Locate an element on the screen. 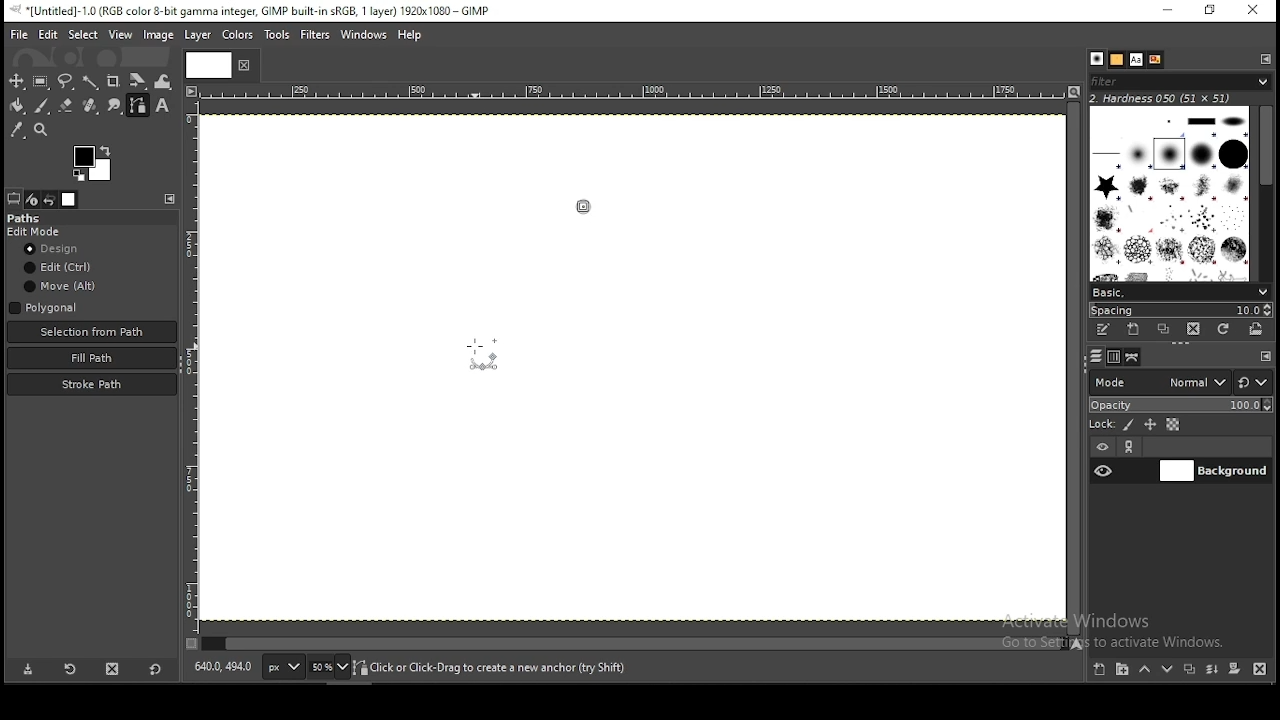 The width and height of the screenshot is (1280, 720). refresh  tool preset is located at coordinates (69, 671).